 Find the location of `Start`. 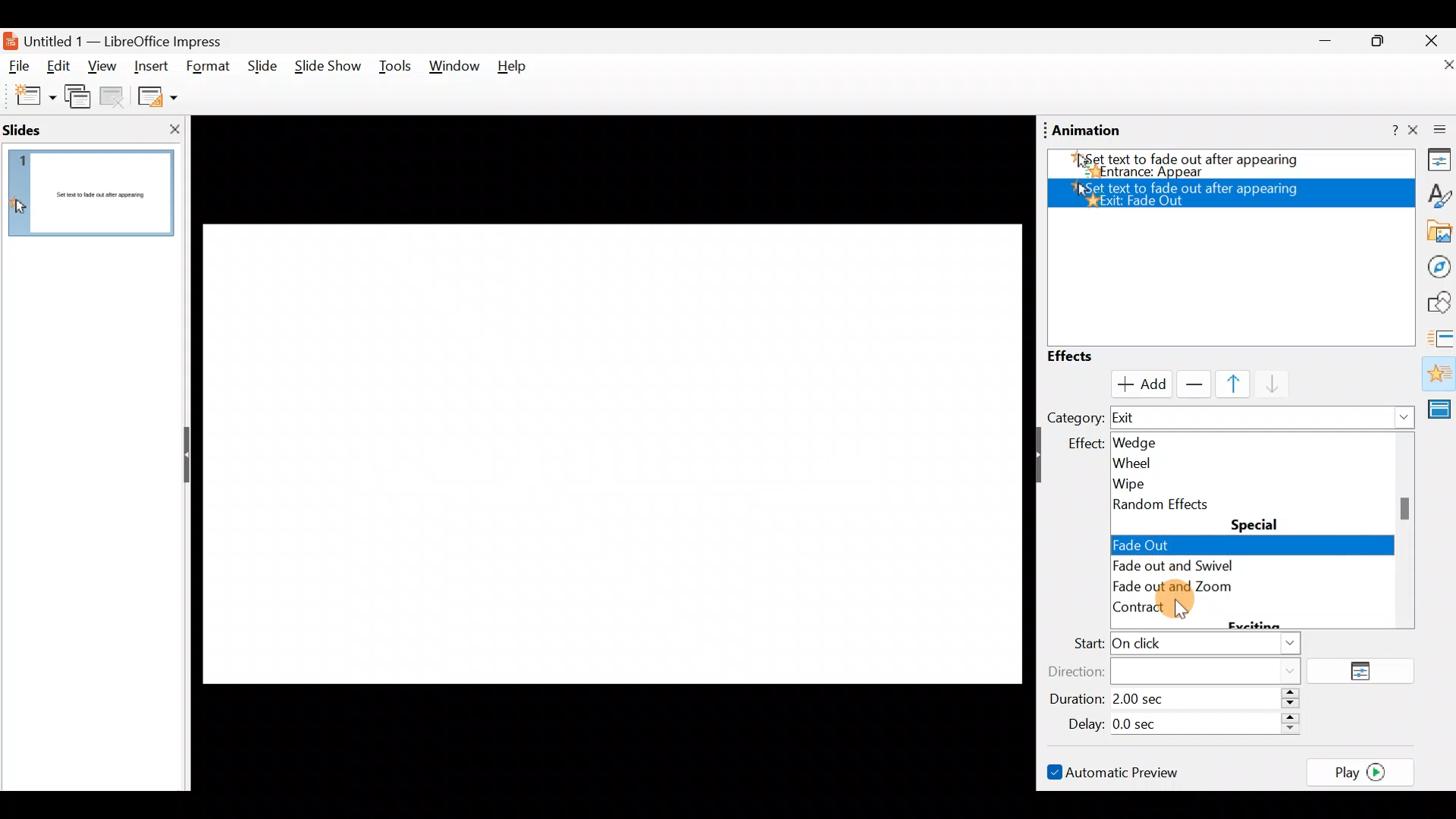

Start is located at coordinates (1182, 645).